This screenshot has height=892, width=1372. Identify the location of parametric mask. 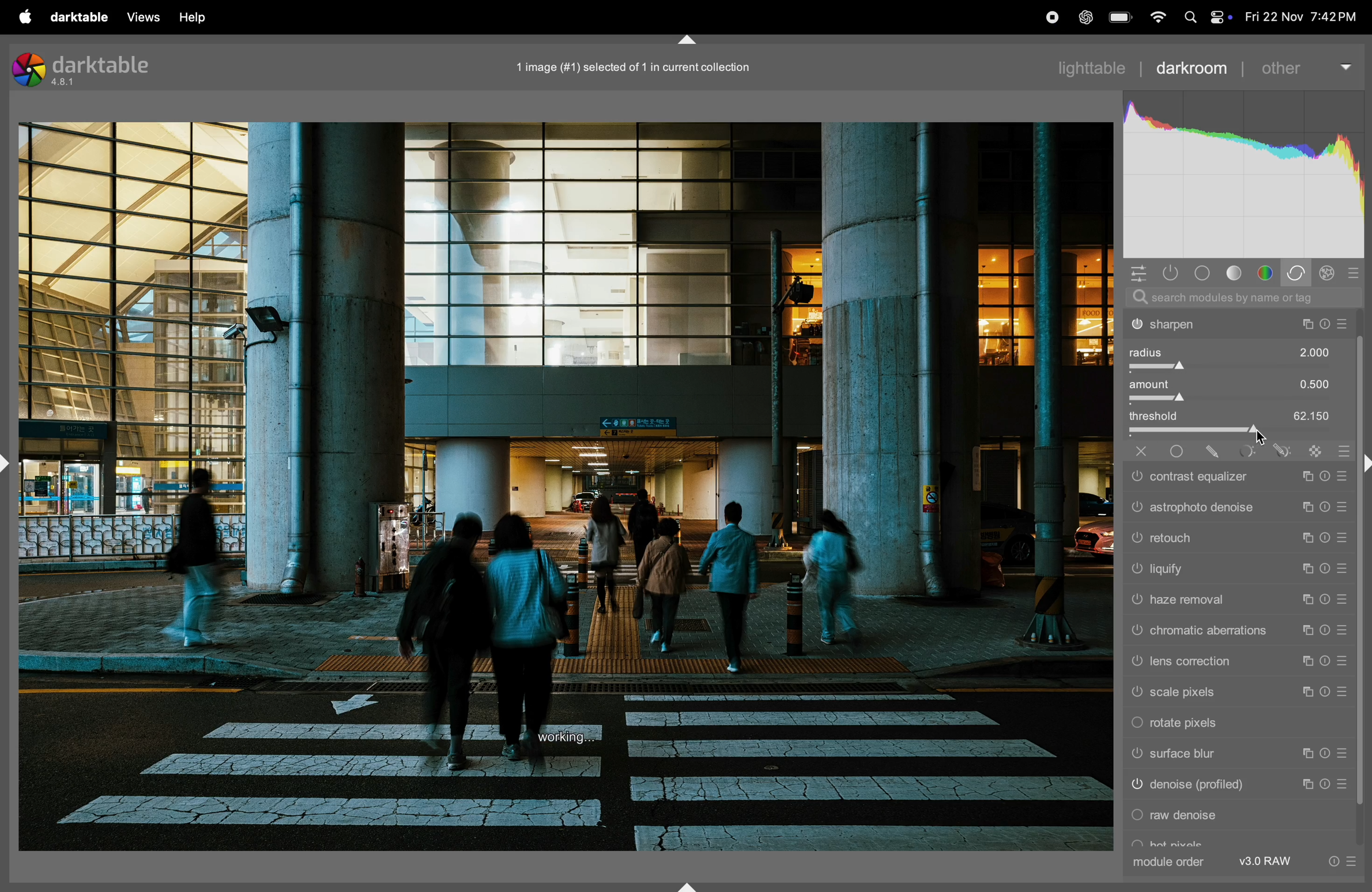
(1242, 449).